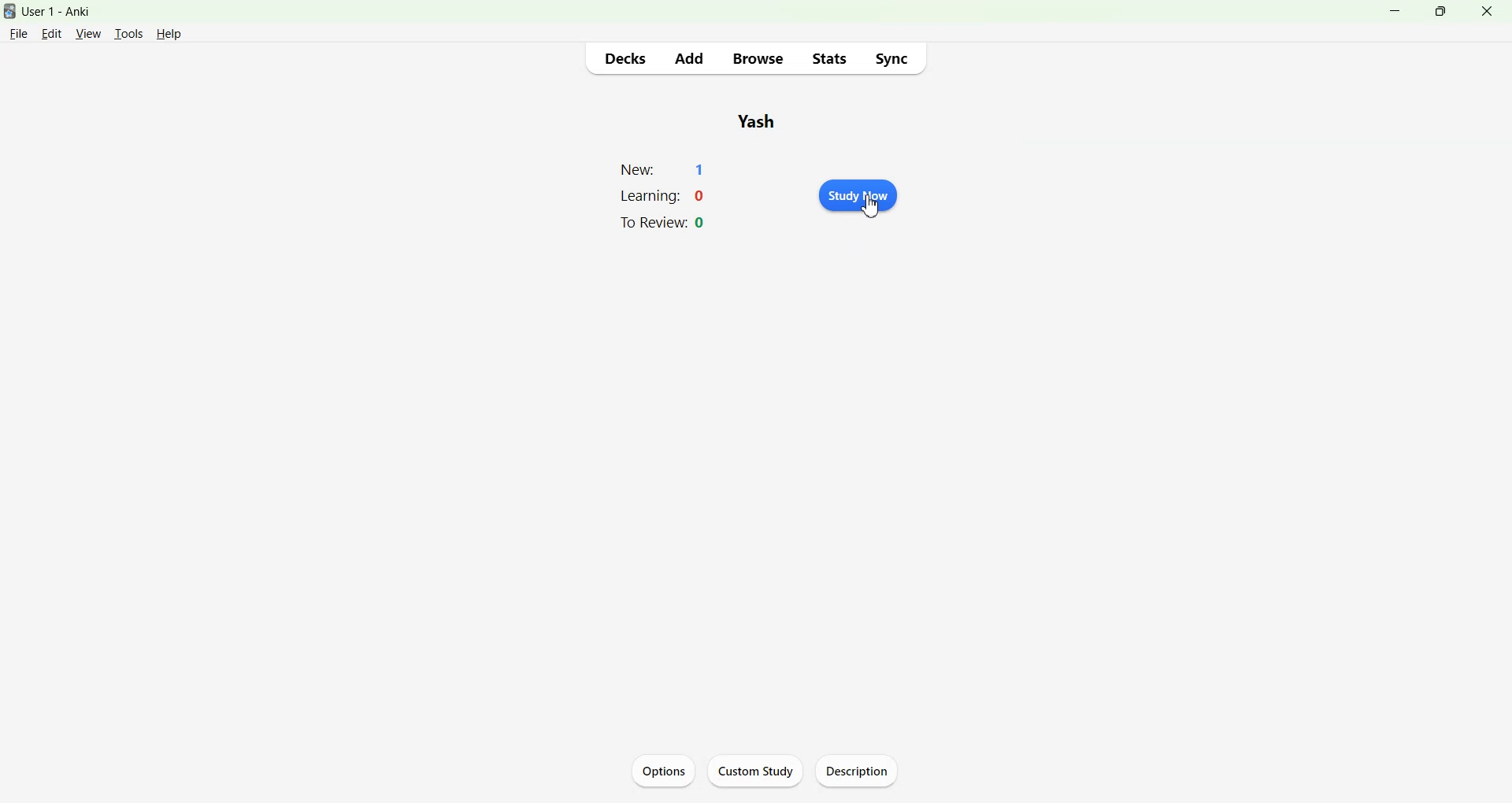 The image size is (1512, 803). I want to click on Add, so click(688, 58).